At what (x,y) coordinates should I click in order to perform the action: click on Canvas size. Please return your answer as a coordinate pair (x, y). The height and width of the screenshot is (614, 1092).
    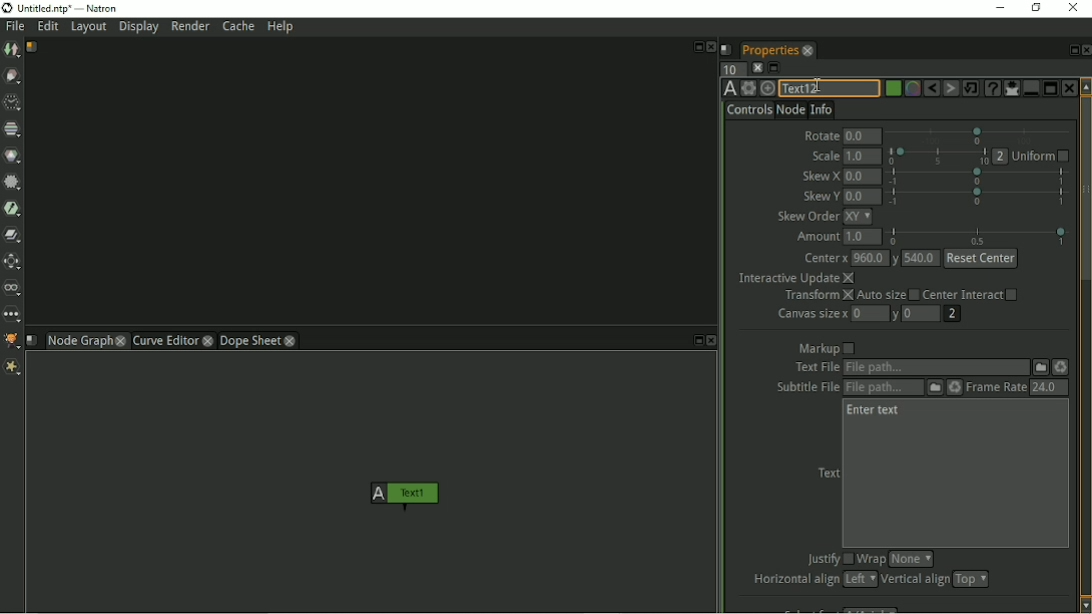
    Looking at the image, I should click on (811, 314).